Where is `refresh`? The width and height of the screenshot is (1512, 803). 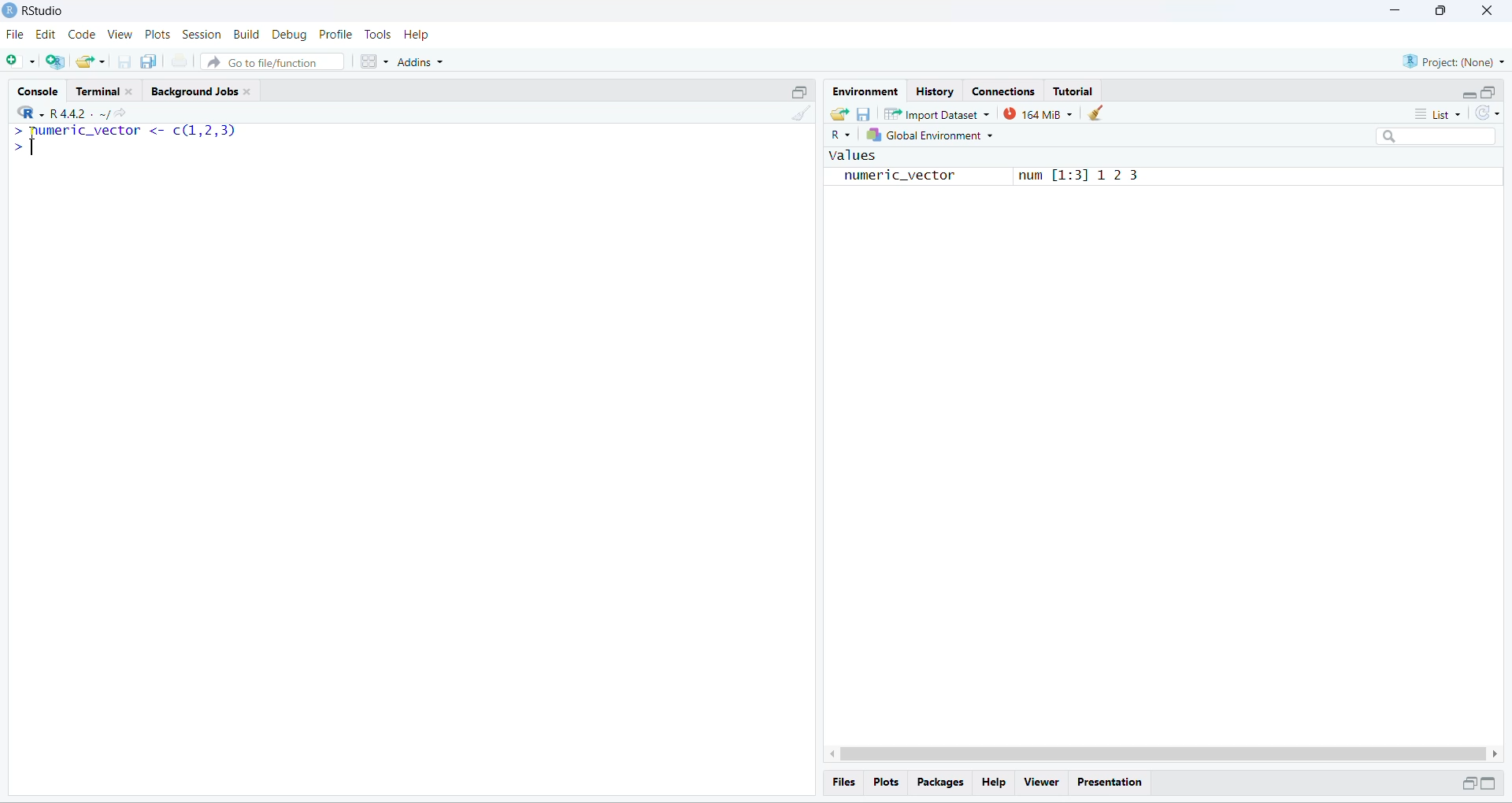
refresh is located at coordinates (1488, 113).